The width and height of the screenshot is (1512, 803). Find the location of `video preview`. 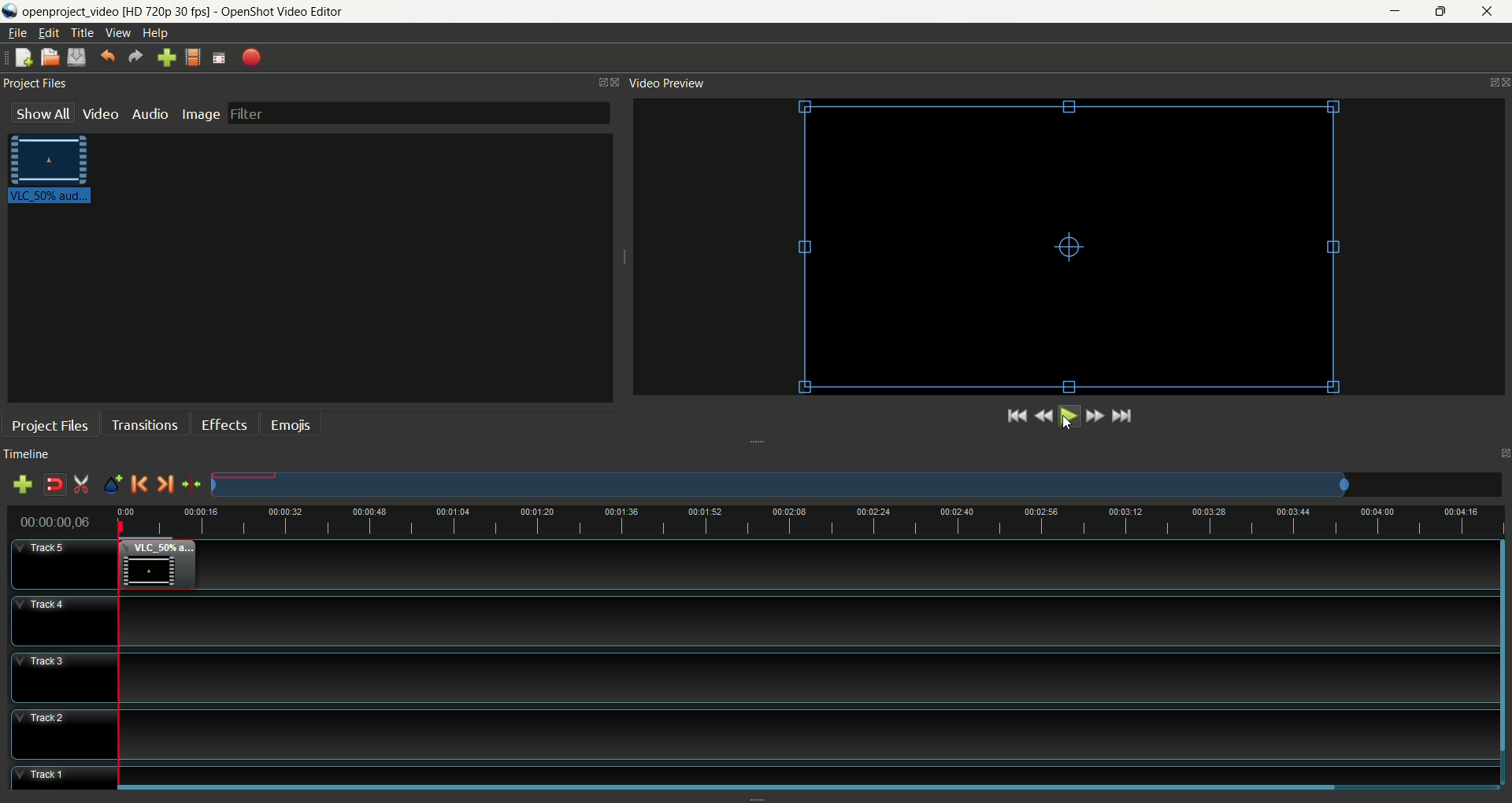

video preview is located at coordinates (665, 83).